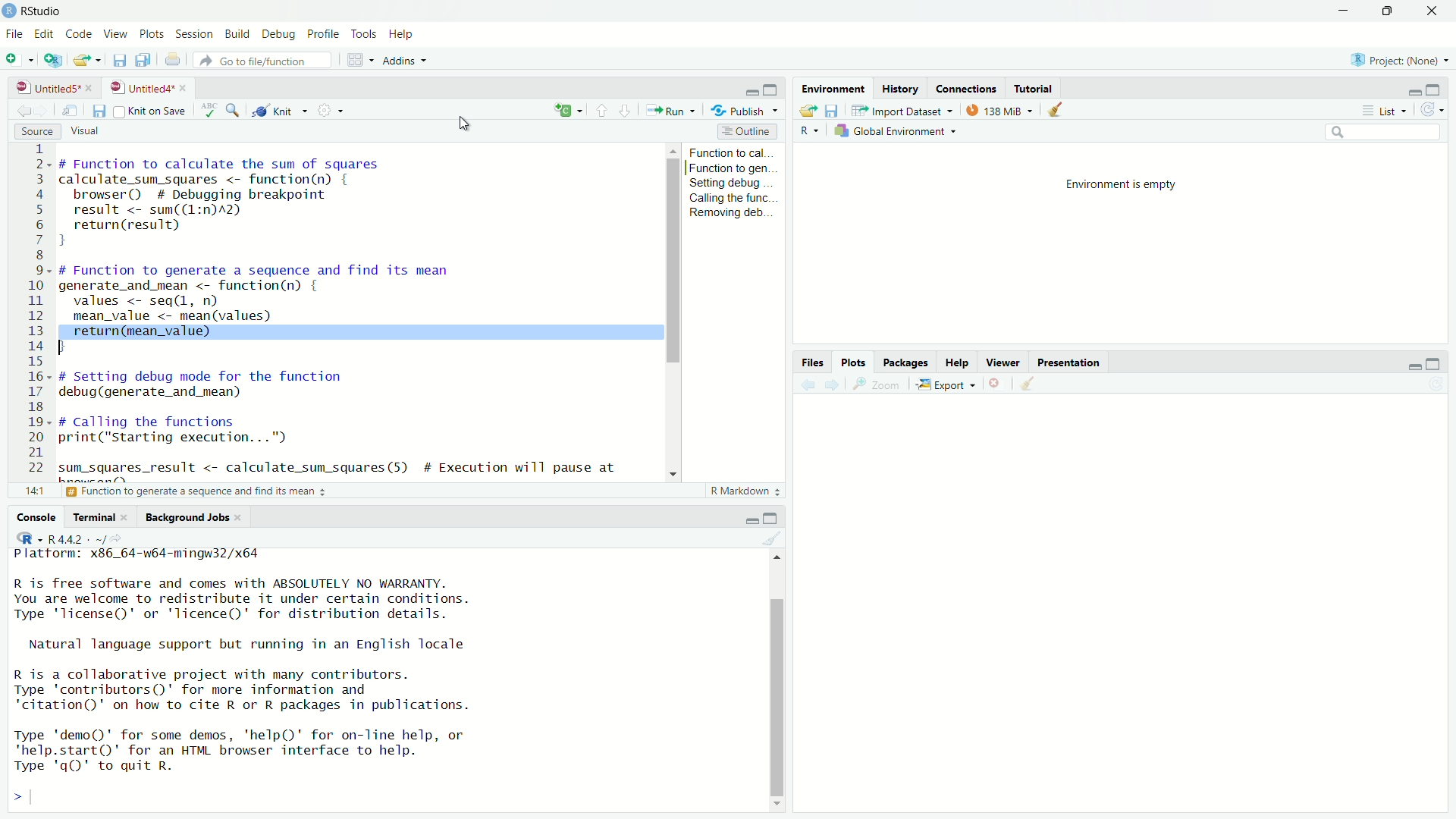  I want to click on move down, so click(778, 805).